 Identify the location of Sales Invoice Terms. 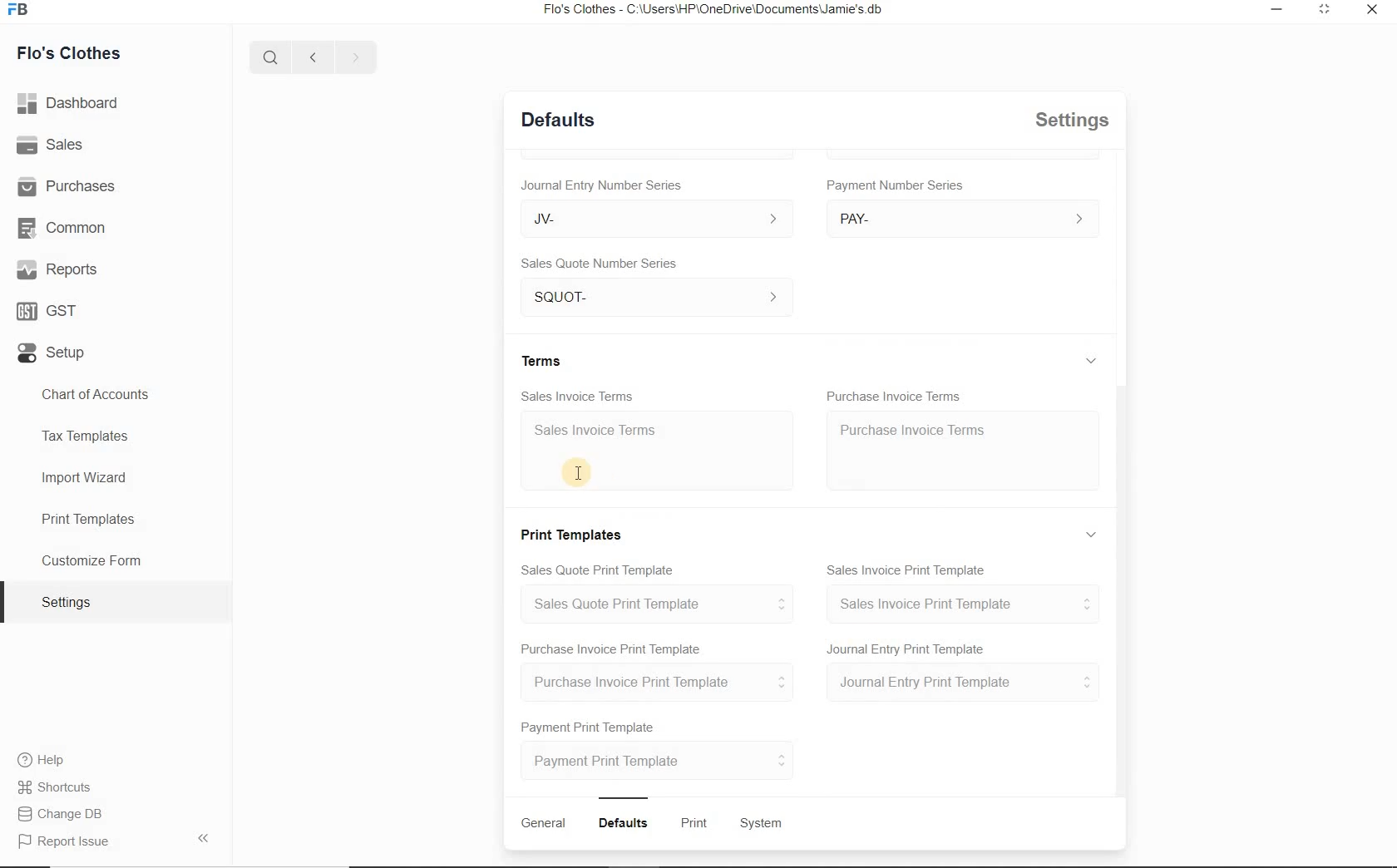
(659, 451).